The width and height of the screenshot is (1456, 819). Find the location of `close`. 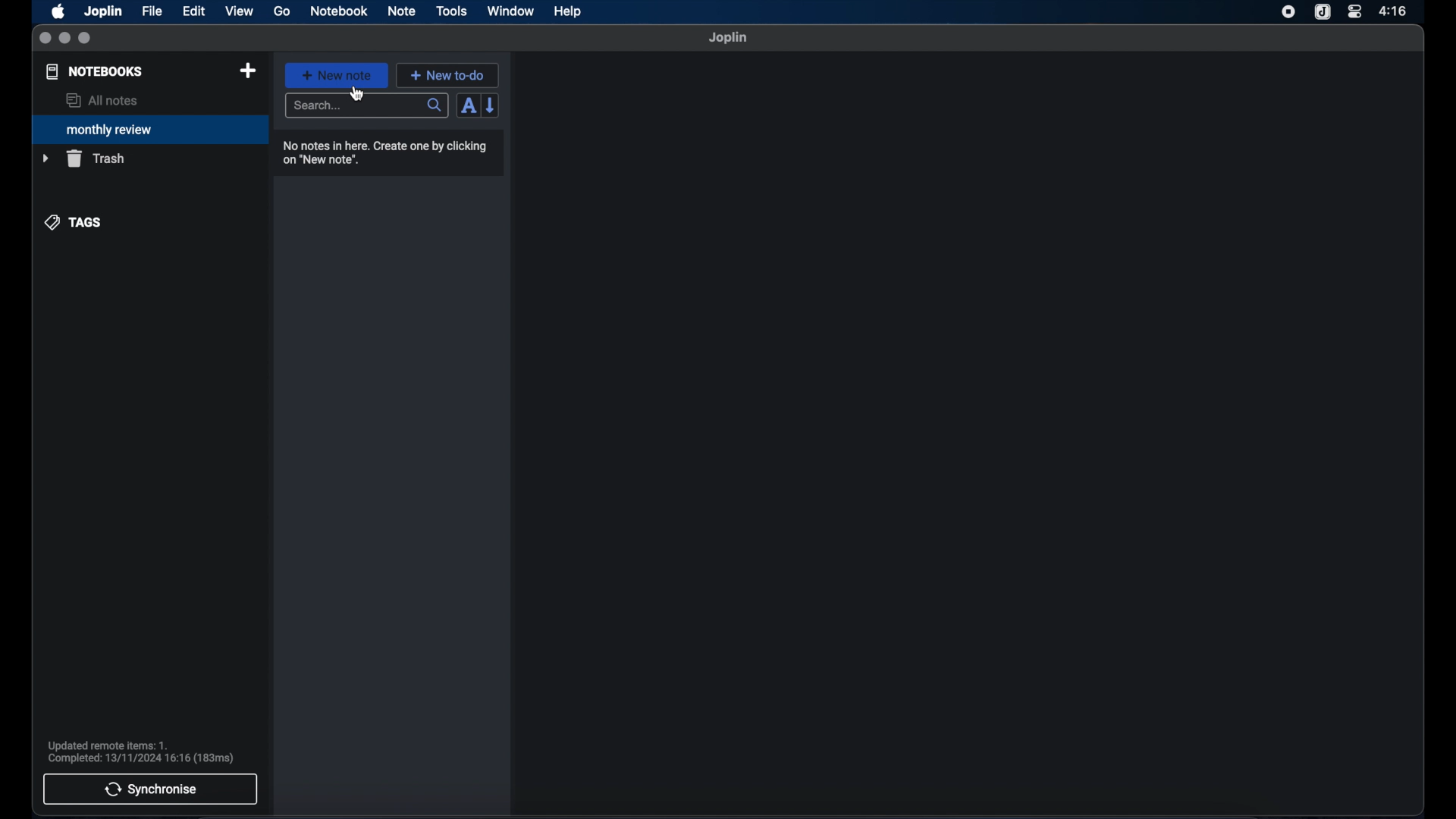

close is located at coordinates (45, 39).